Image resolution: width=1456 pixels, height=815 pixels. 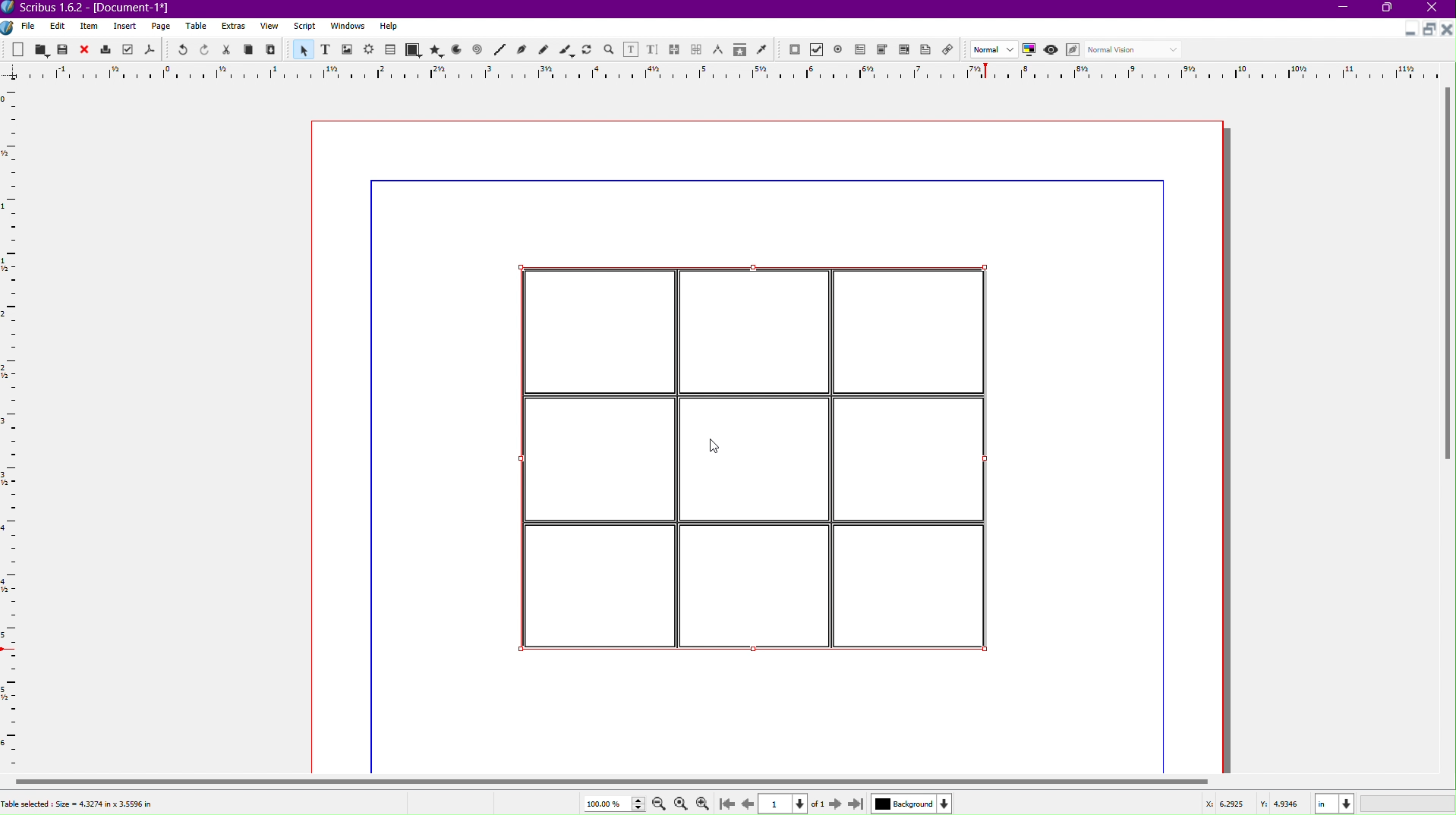 I want to click on Bezier Curve, so click(x=522, y=50).